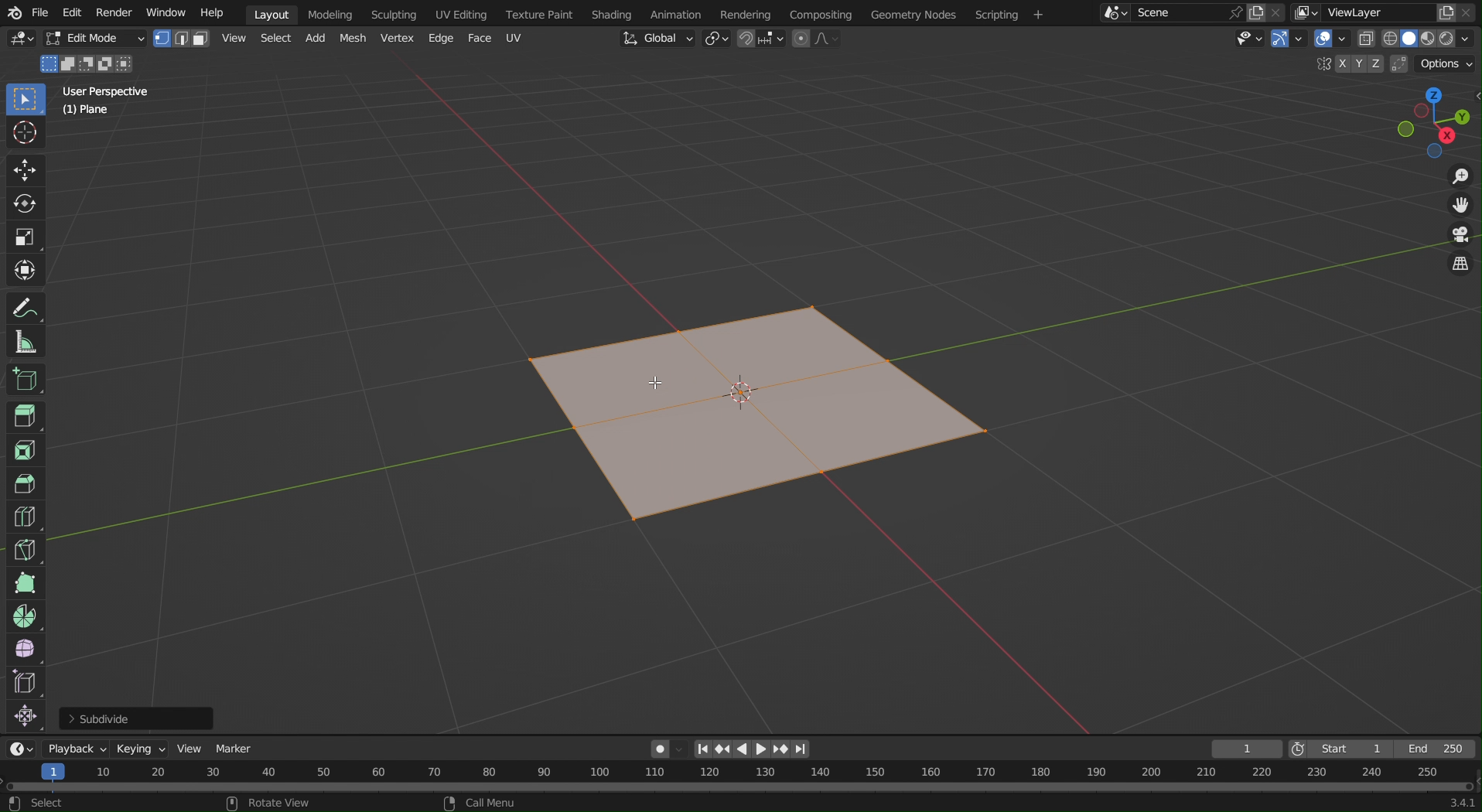  What do you see at coordinates (1470, 13) in the screenshot?
I see `close` at bounding box center [1470, 13].